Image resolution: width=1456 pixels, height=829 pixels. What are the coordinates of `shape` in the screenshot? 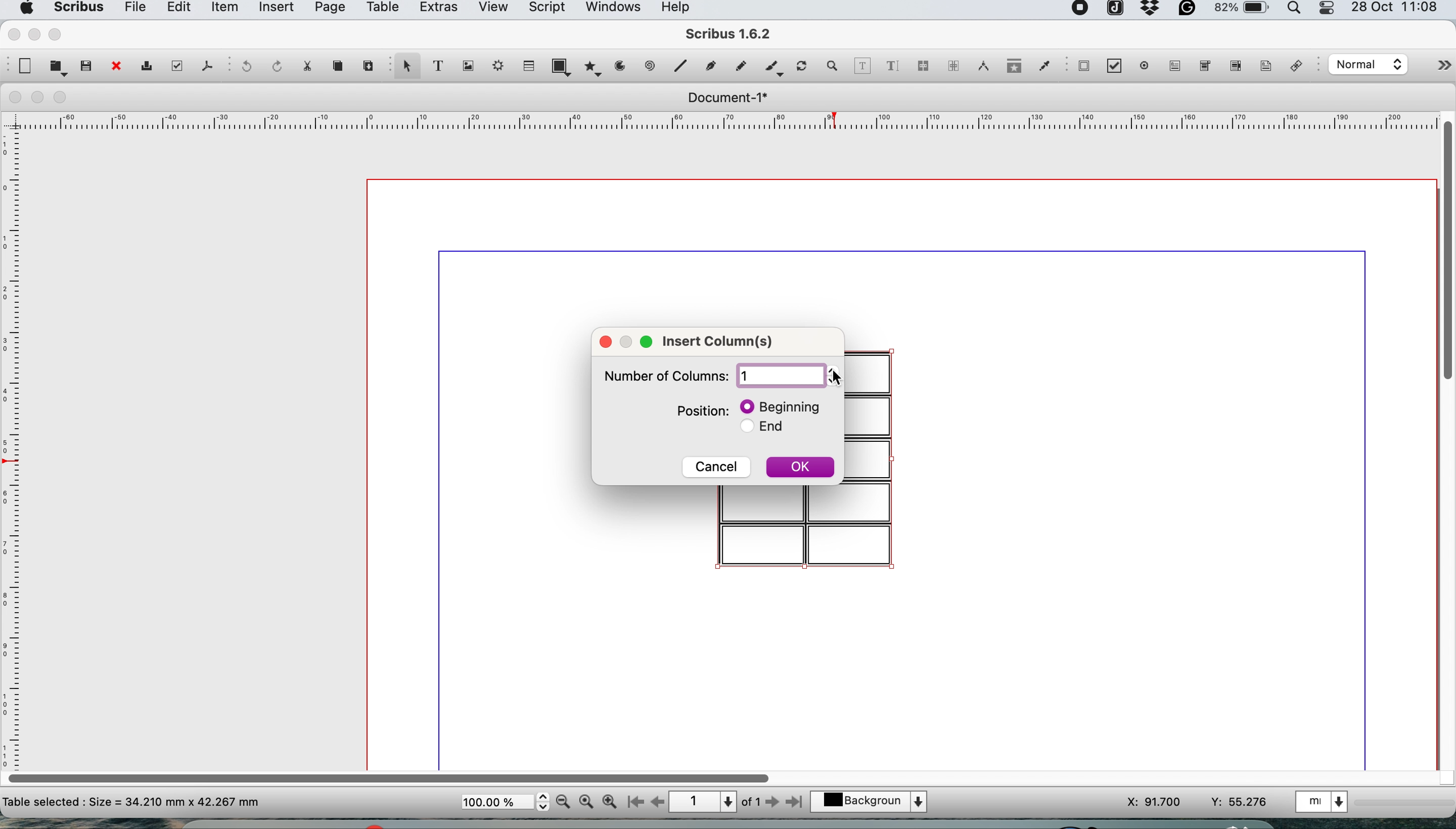 It's located at (564, 66).